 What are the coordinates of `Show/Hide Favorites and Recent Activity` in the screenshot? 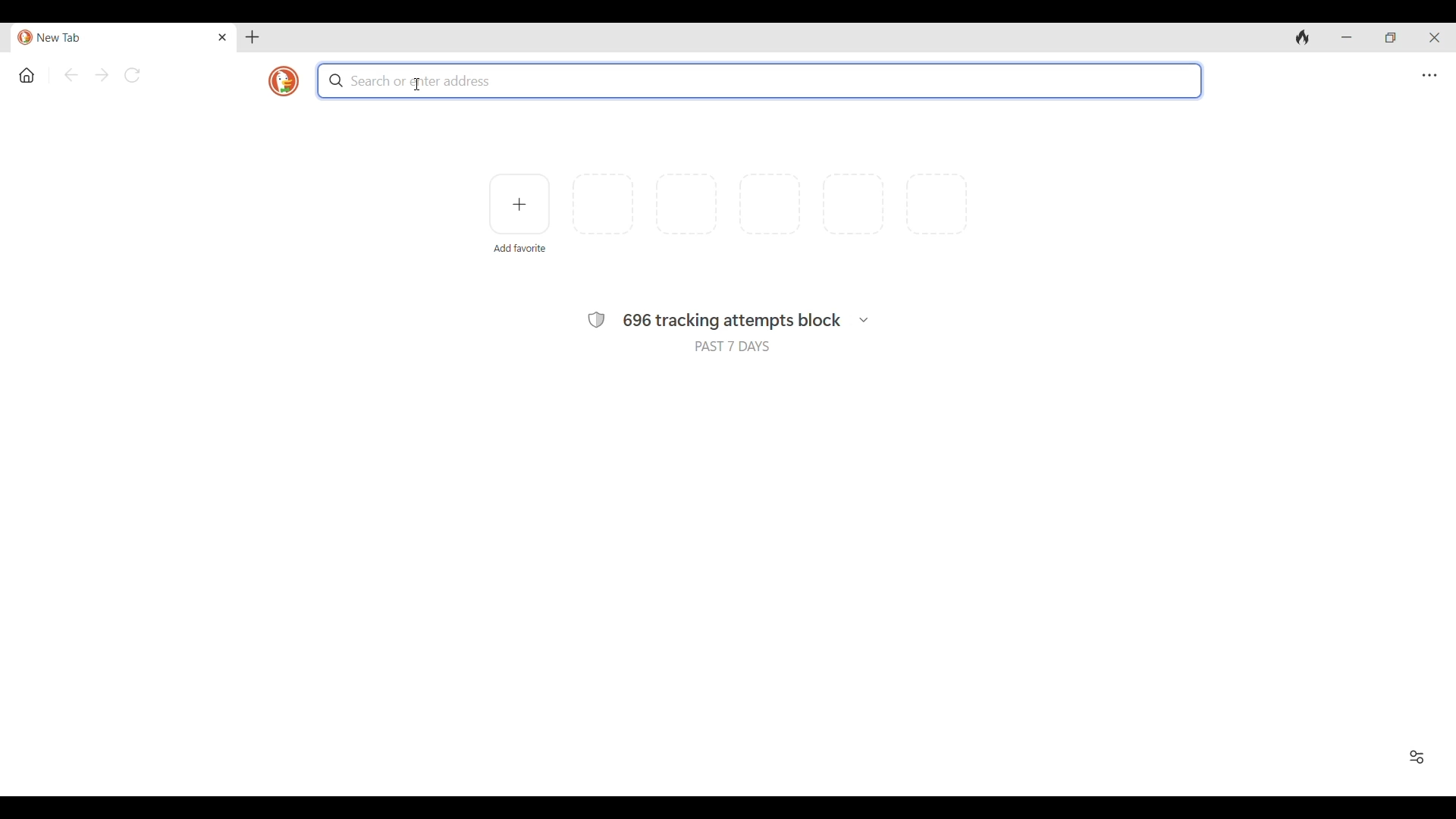 It's located at (1417, 757).